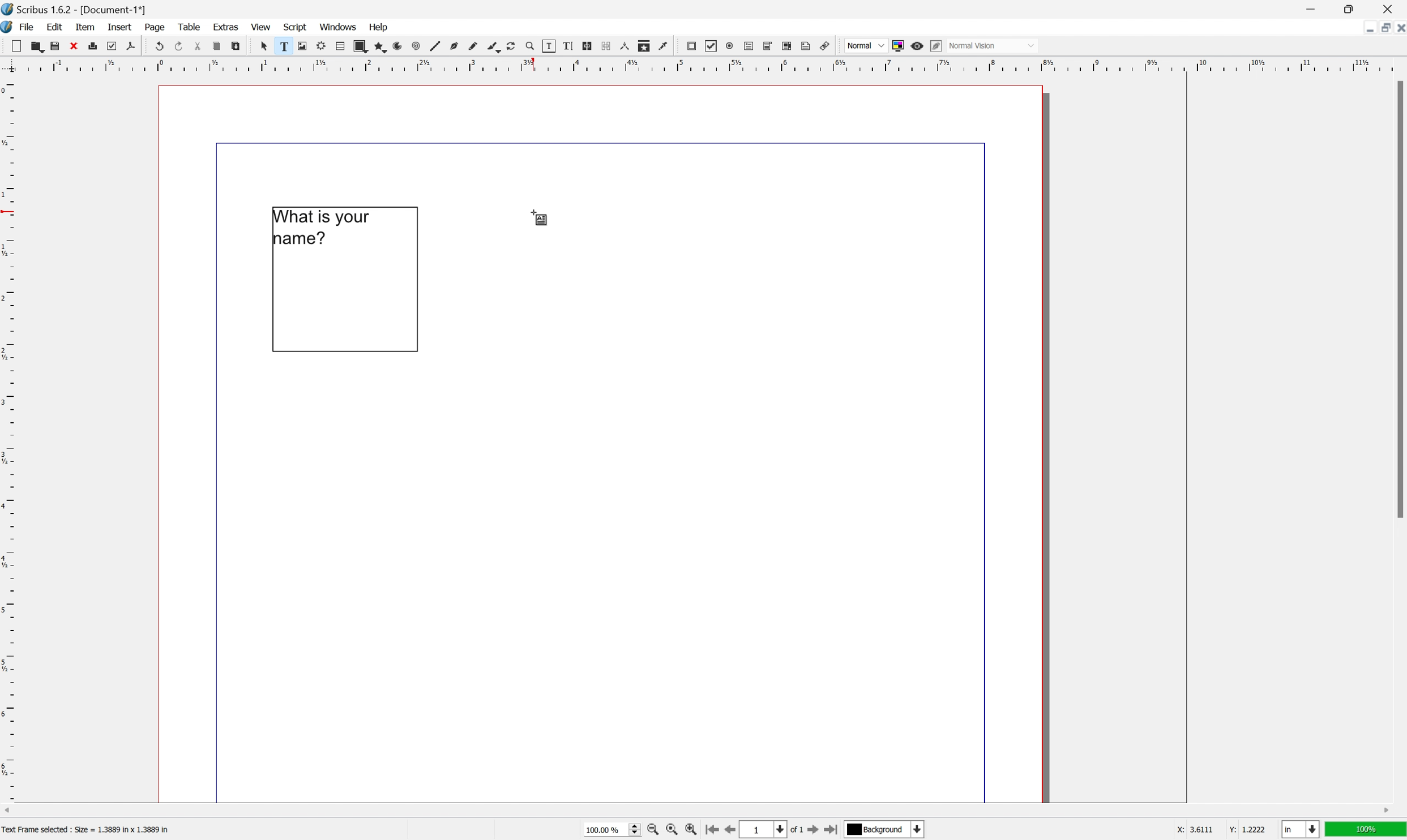 This screenshot has height=840, width=1407. What do you see at coordinates (605, 45) in the screenshot?
I see `unlink text frames` at bounding box center [605, 45].